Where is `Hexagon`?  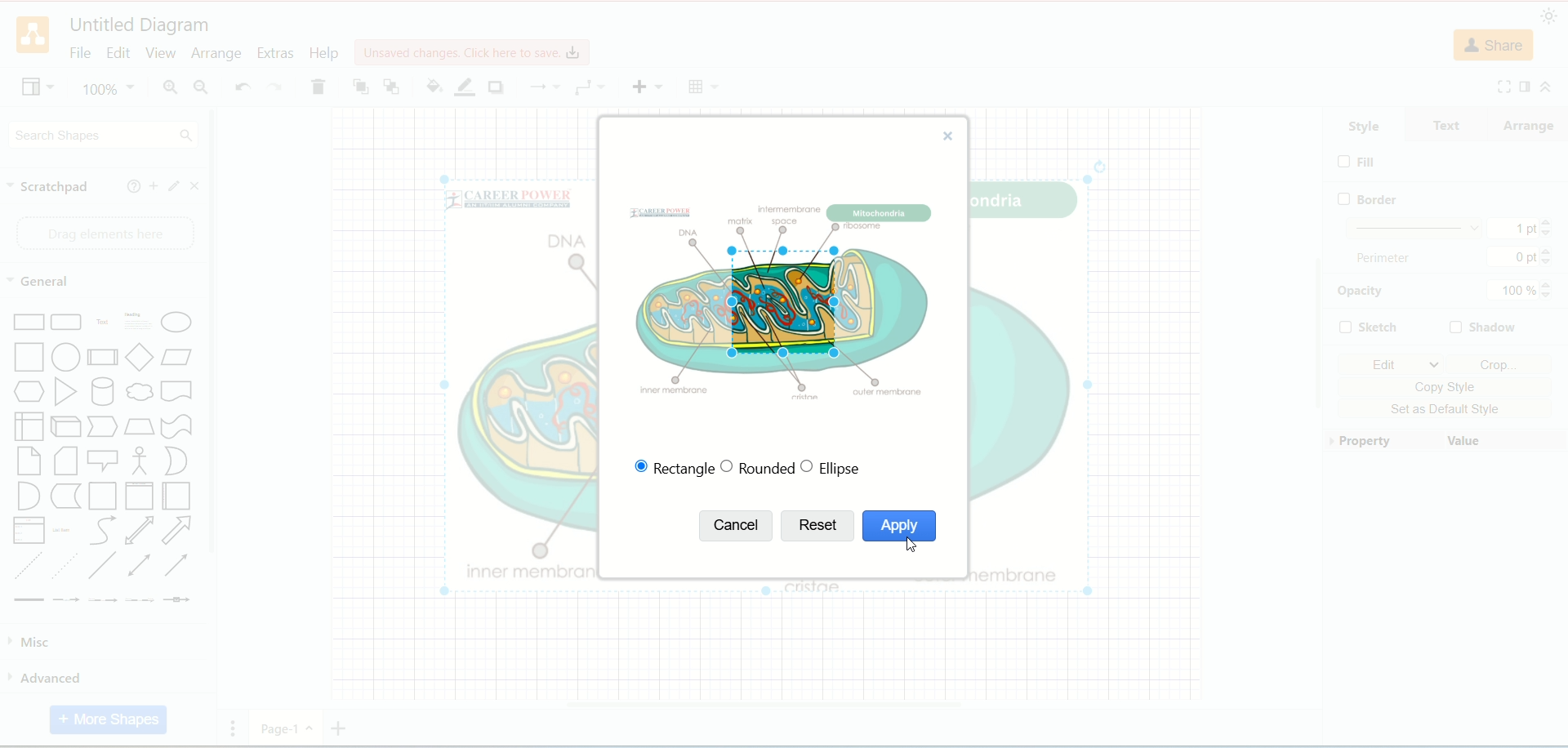
Hexagon is located at coordinates (30, 393).